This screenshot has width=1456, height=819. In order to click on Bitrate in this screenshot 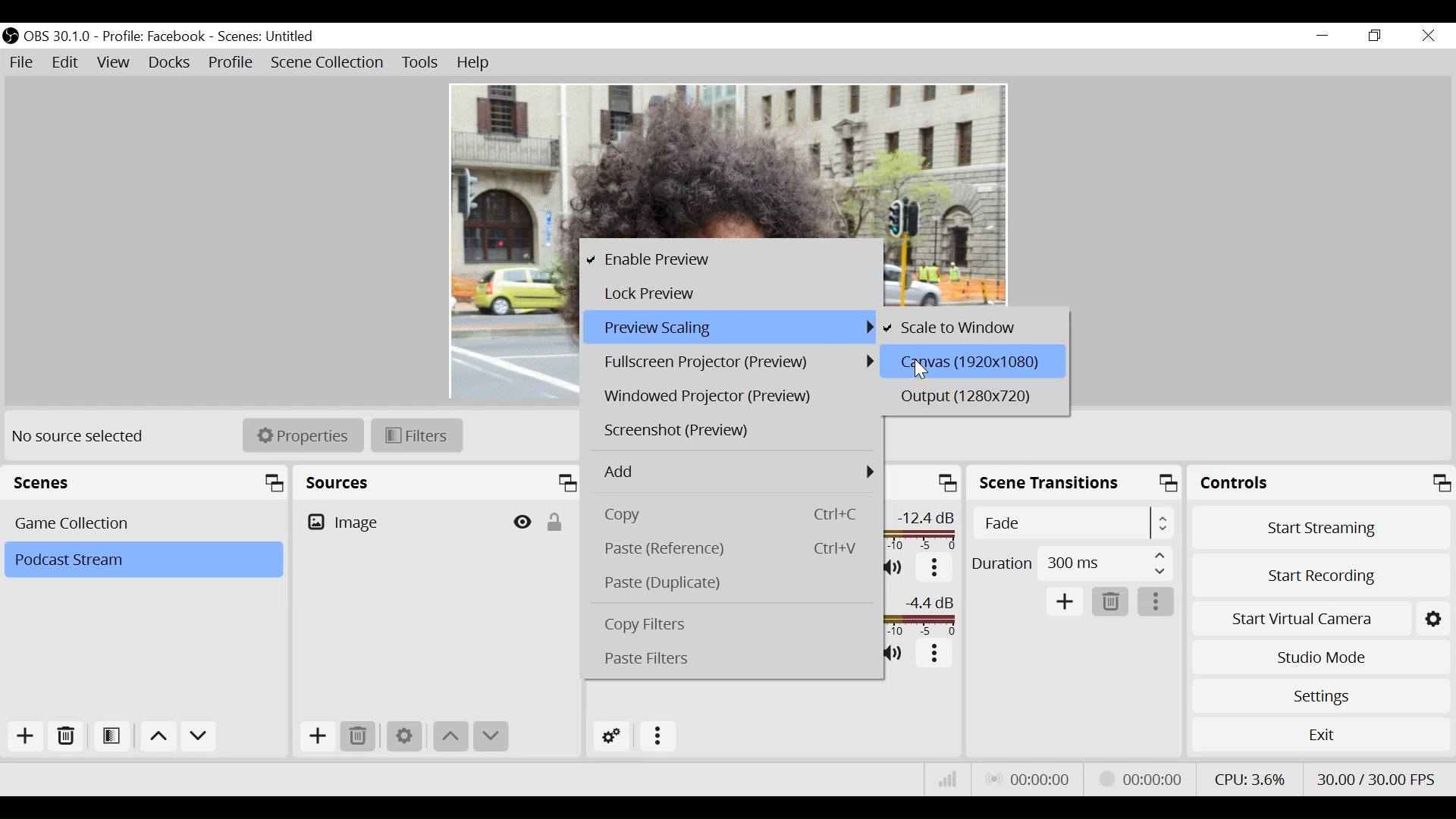, I will do `click(949, 779)`.